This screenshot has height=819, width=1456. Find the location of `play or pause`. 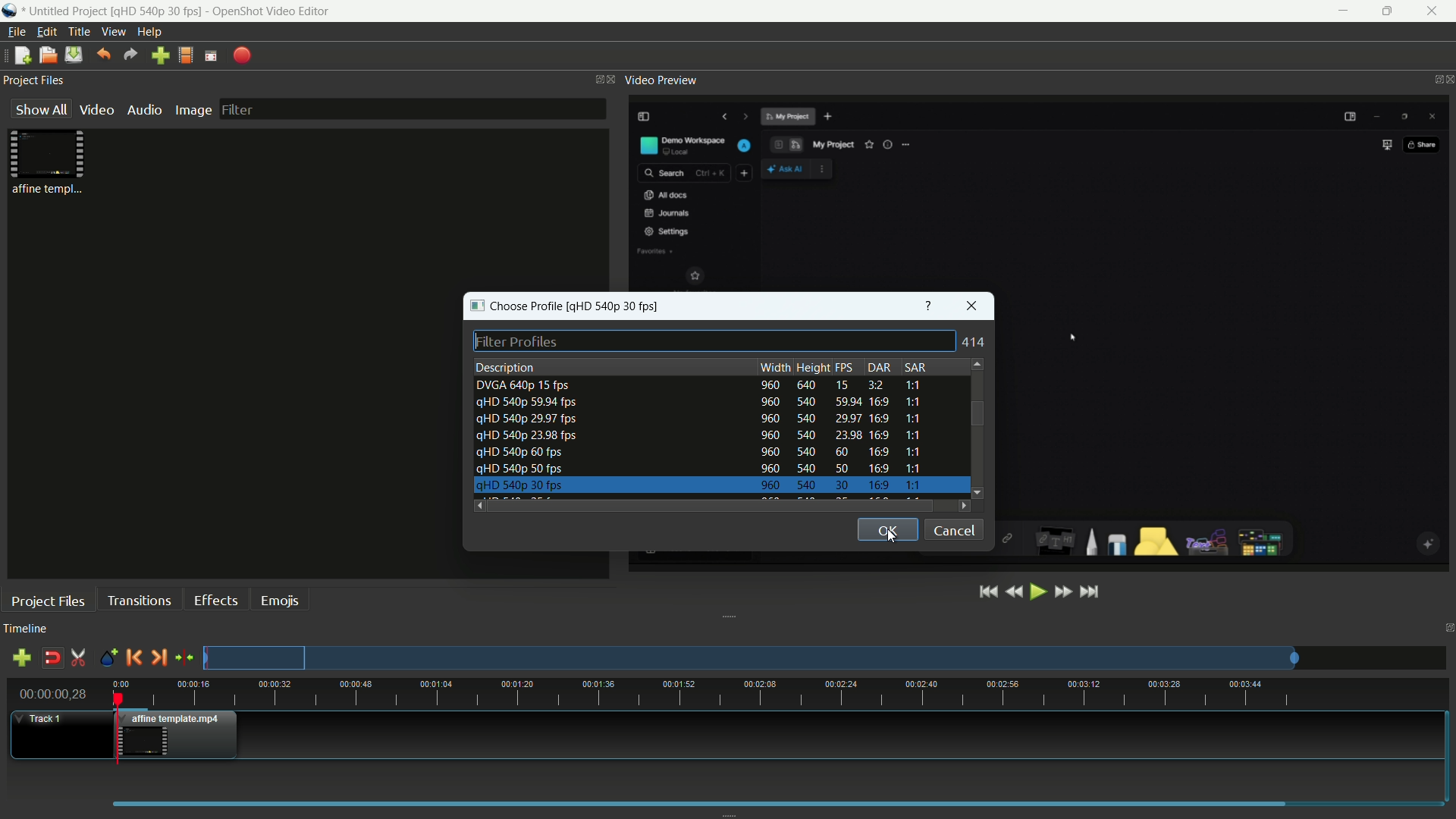

play or pause is located at coordinates (1038, 593).